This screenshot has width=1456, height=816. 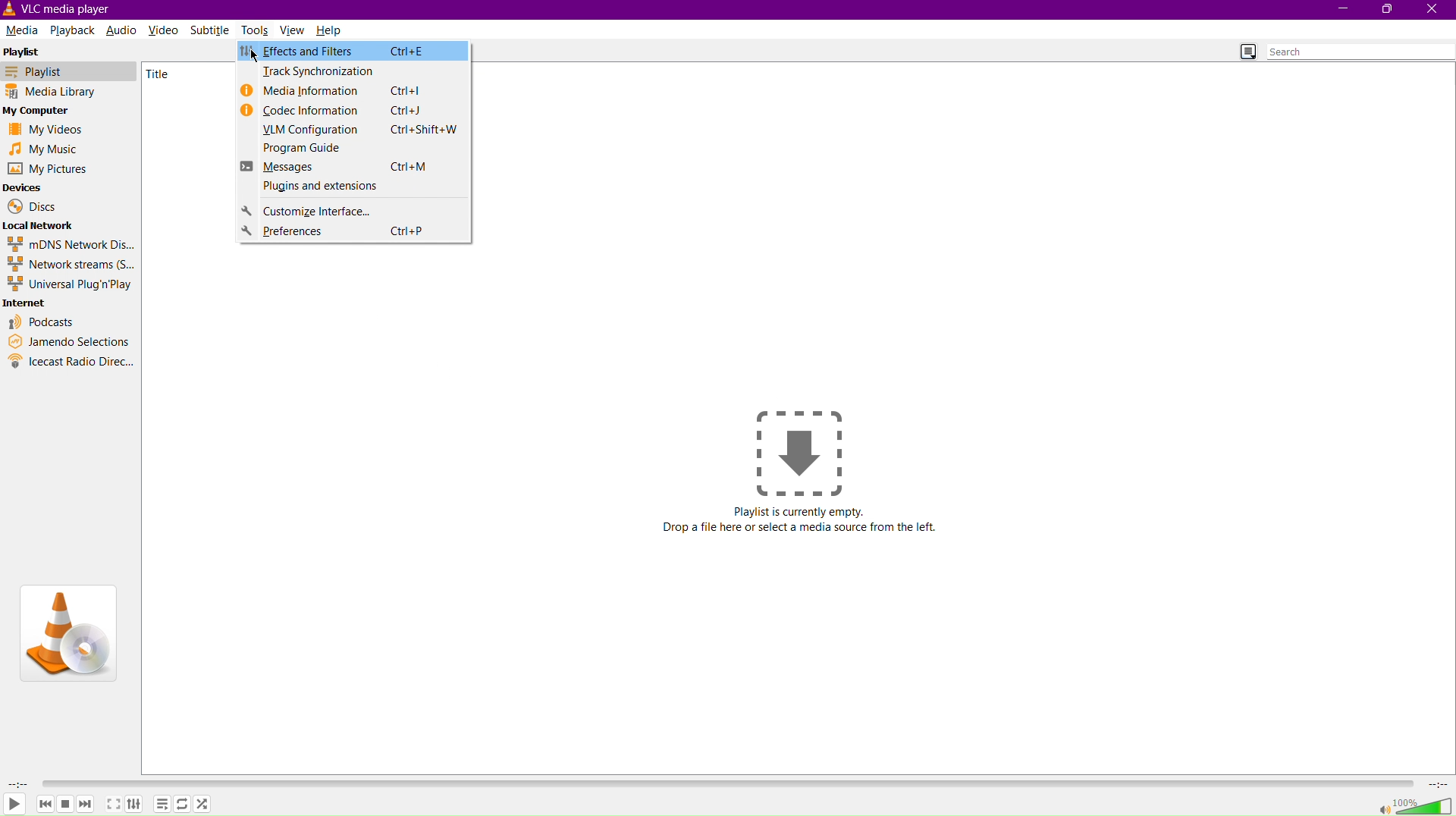 What do you see at coordinates (14, 781) in the screenshot?
I see `Duration` at bounding box center [14, 781].